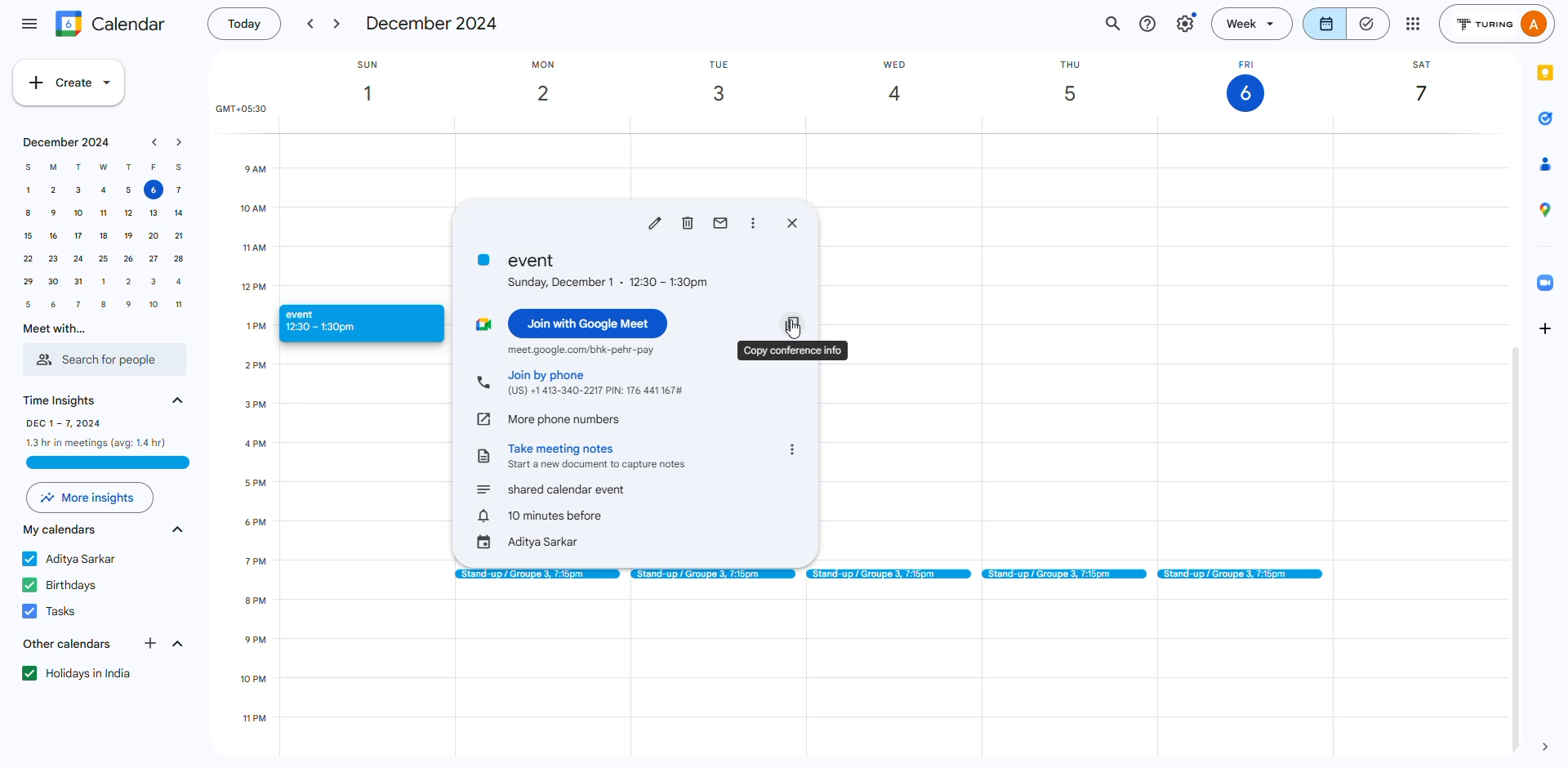 This screenshot has width=1568, height=768. I want to click on 11, so click(105, 213).